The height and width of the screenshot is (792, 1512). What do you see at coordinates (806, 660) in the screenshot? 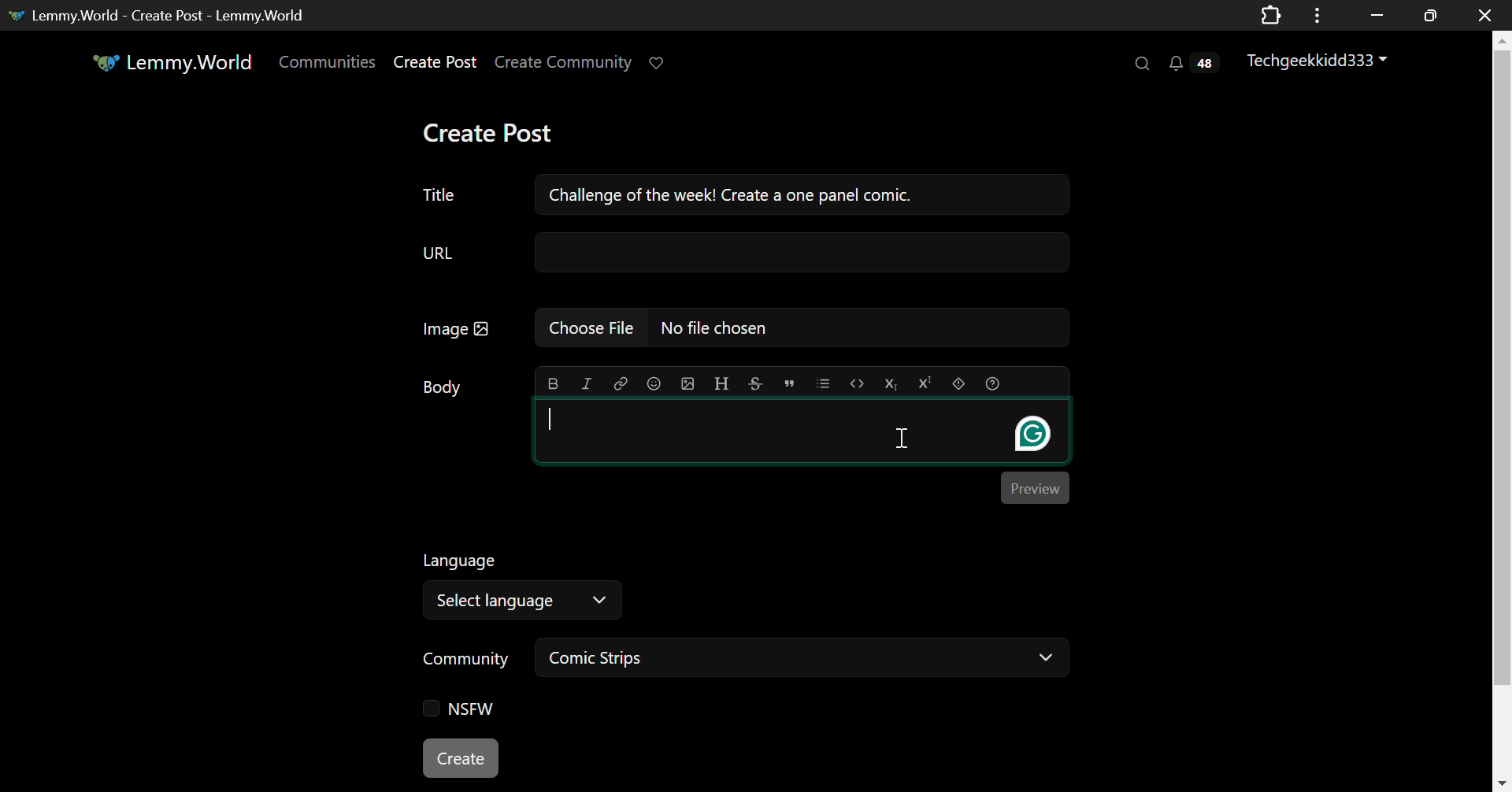
I see `Comic Strips` at bounding box center [806, 660].